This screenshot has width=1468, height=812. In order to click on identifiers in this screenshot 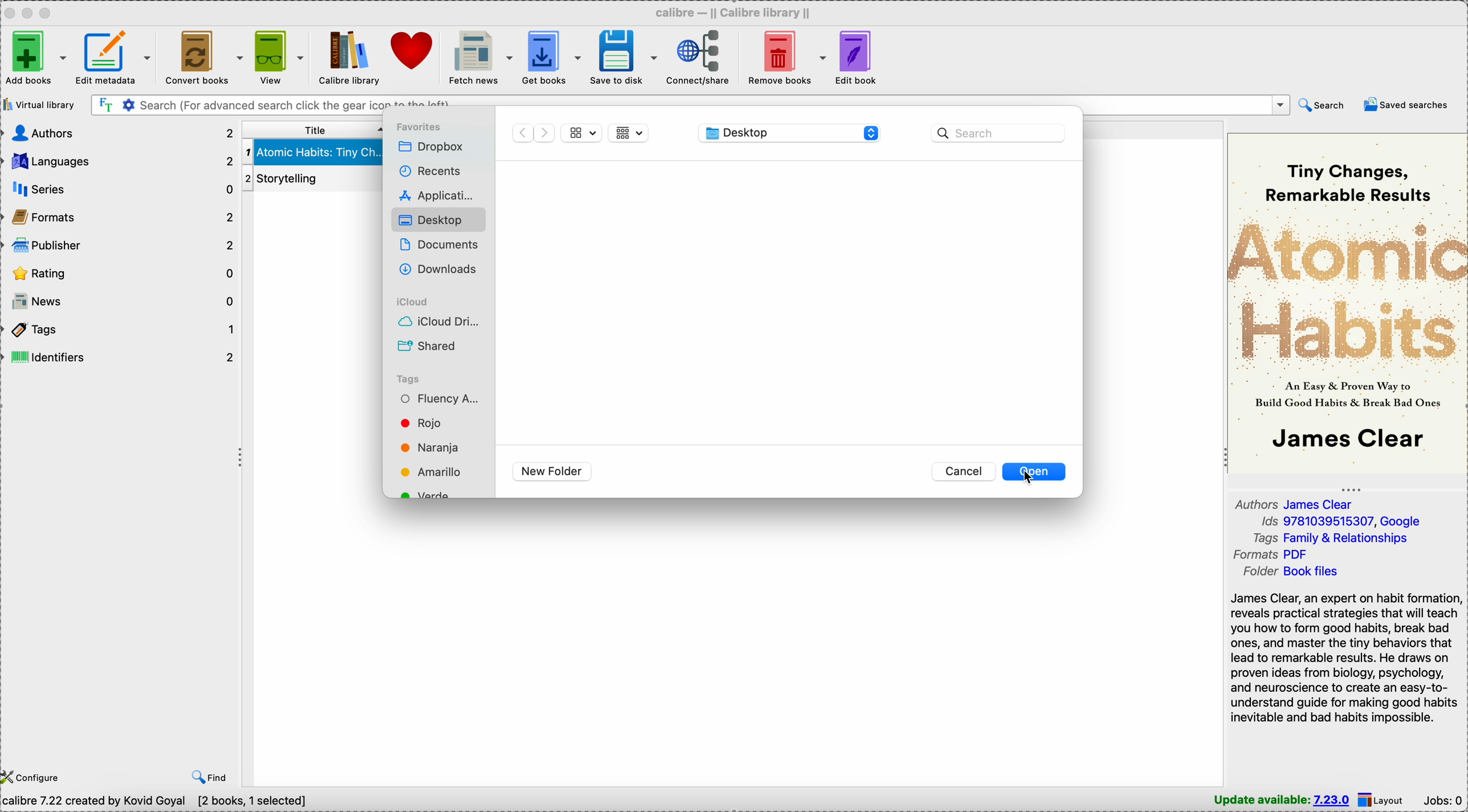, I will do `click(121, 357)`.